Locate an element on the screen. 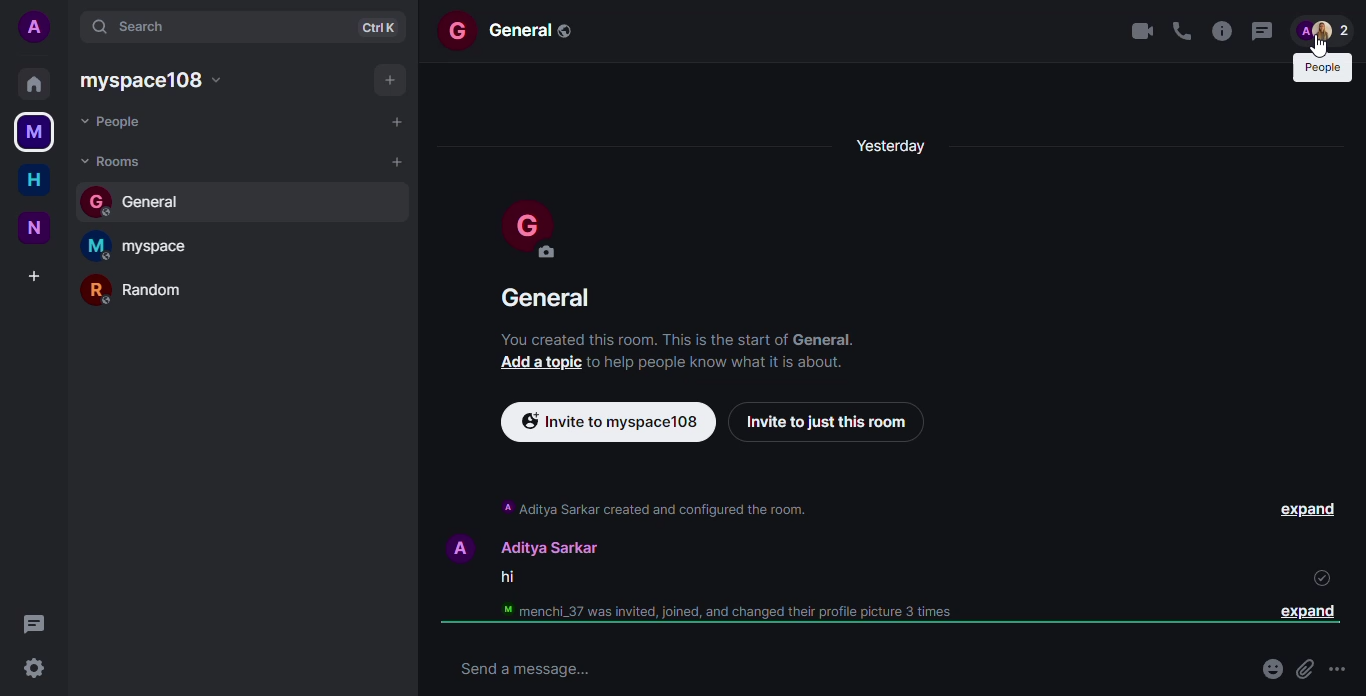 The image size is (1366, 696). threads is located at coordinates (1264, 31).